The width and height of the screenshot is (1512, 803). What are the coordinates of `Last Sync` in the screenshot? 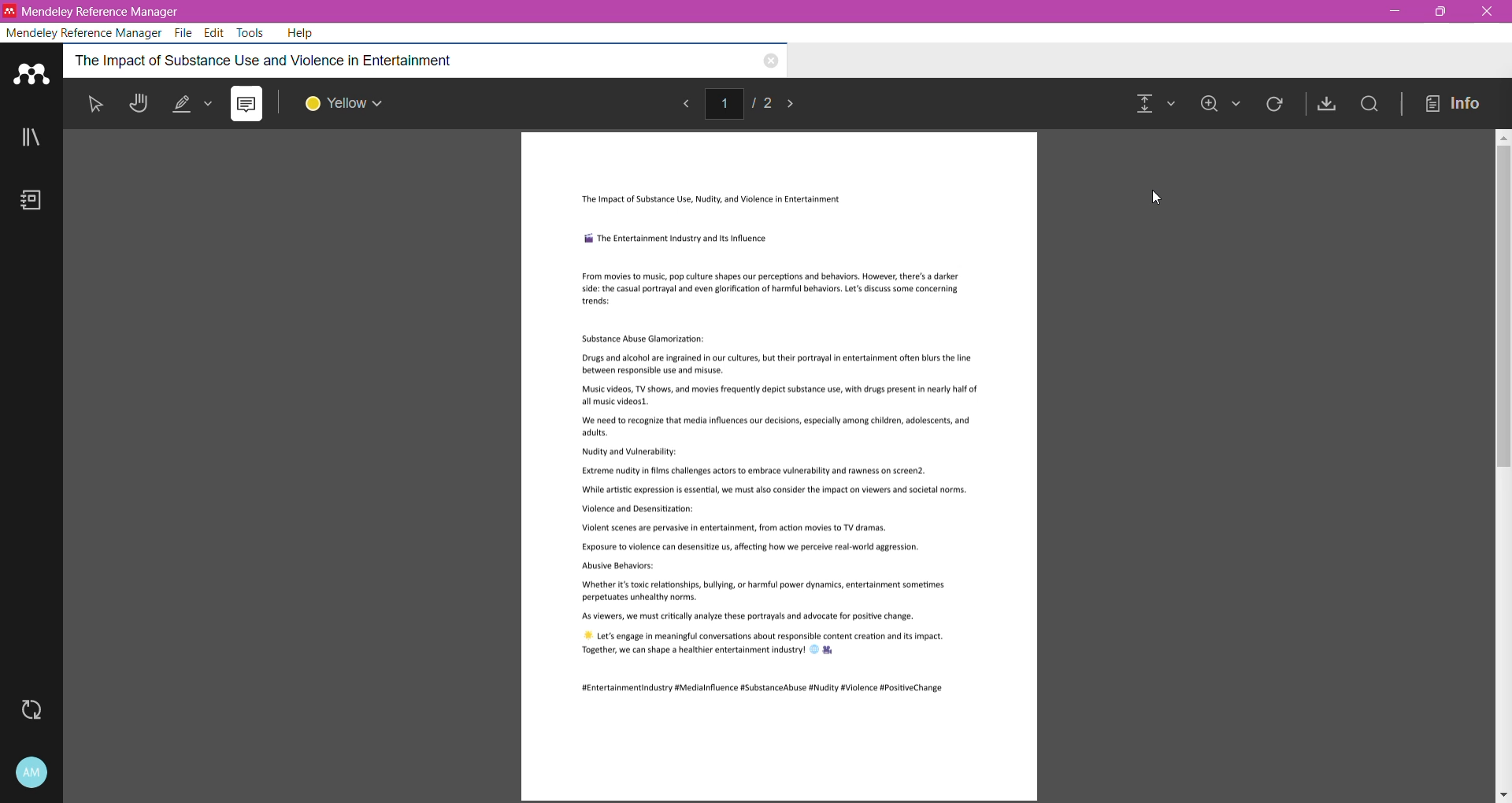 It's located at (38, 710).